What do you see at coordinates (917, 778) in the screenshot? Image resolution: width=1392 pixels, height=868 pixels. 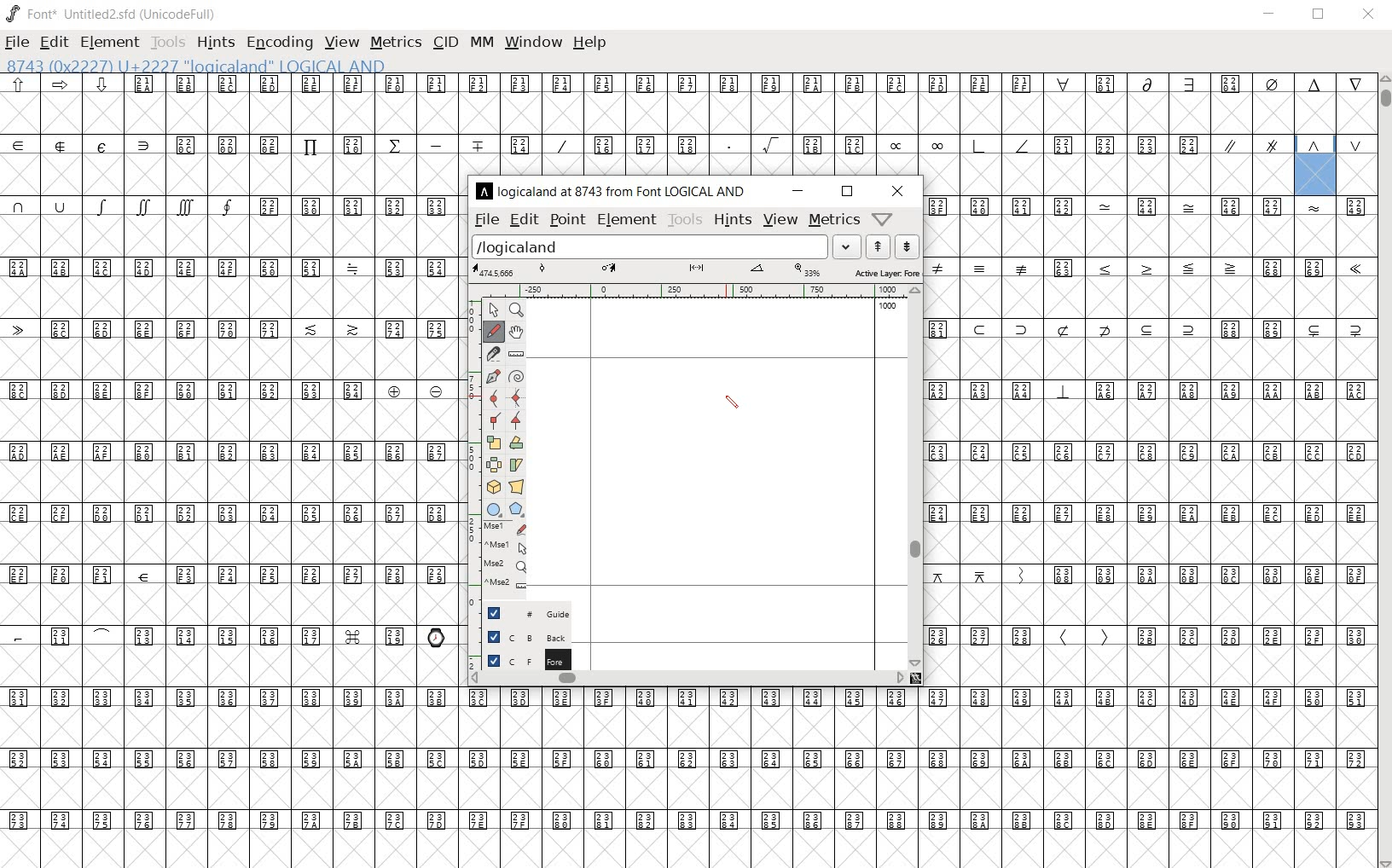 I see `glyph characters` at bounding box center [917, 778].